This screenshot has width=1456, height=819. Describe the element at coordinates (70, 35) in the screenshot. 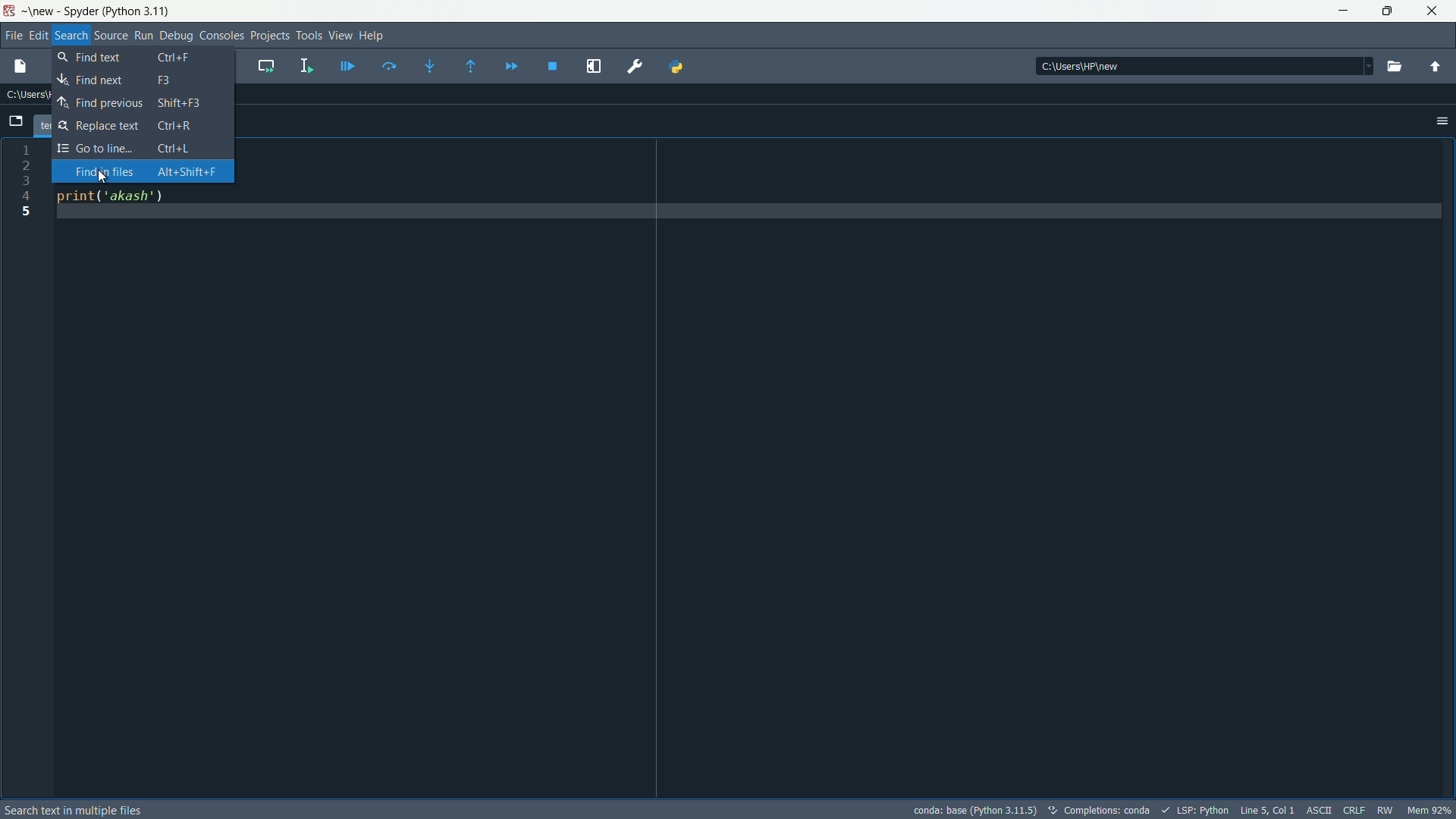

I see `Search Menu` at that location.